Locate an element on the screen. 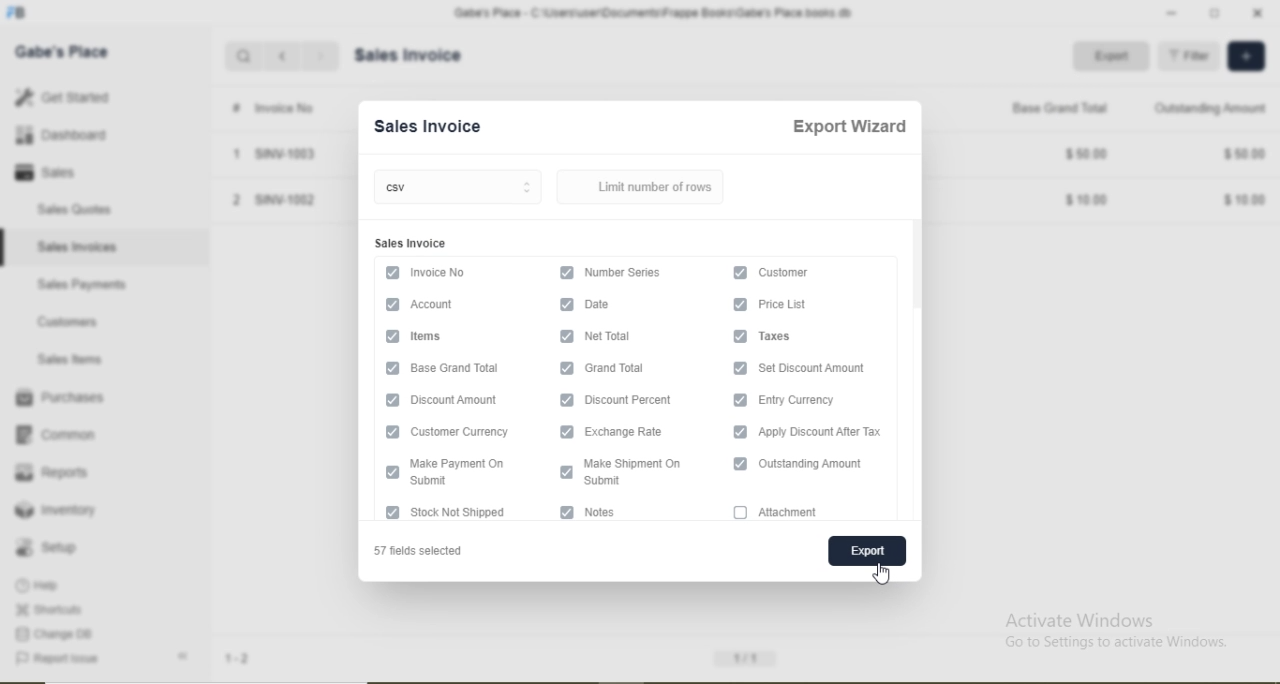  1 SINV-1003 is located at coordinates (271, 155).